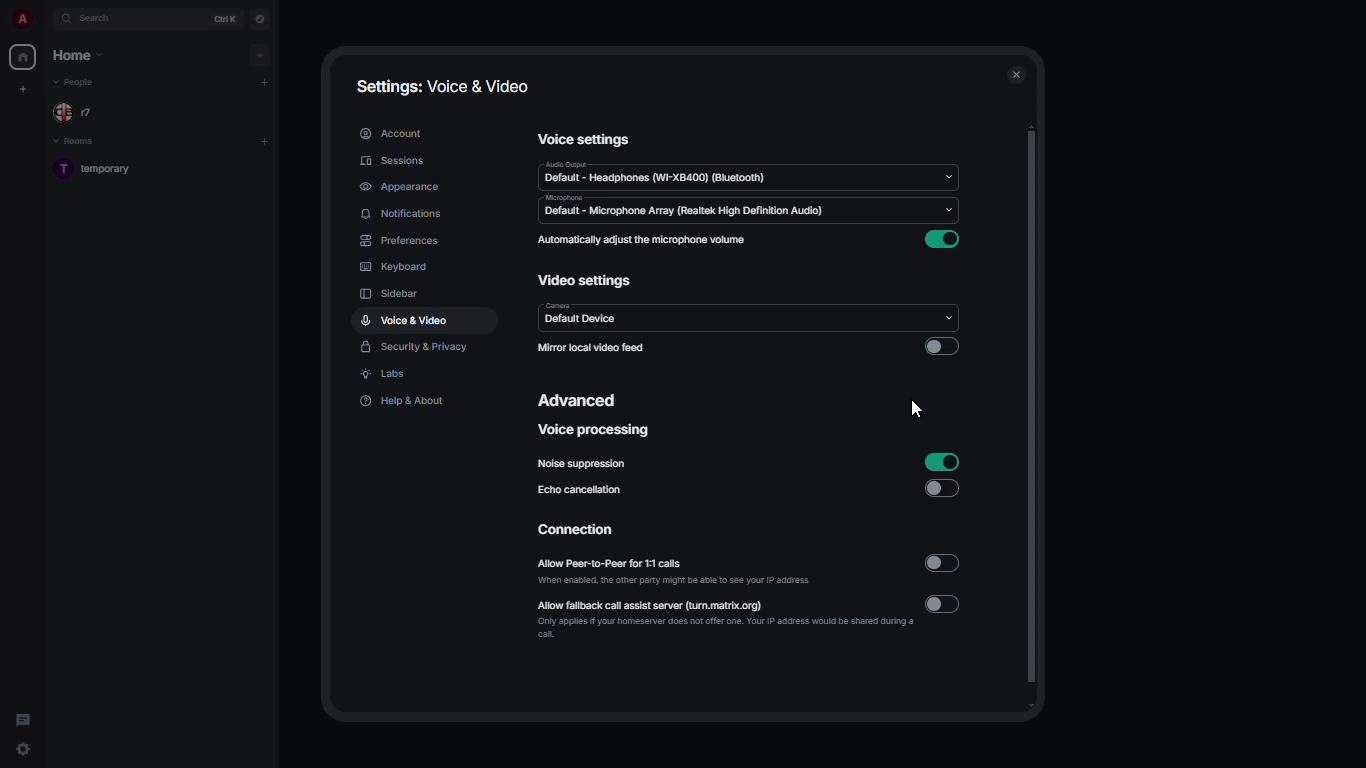 The height and width of the screenshot is (768, 1366). I want to click on voice & video, so click(406, 319).